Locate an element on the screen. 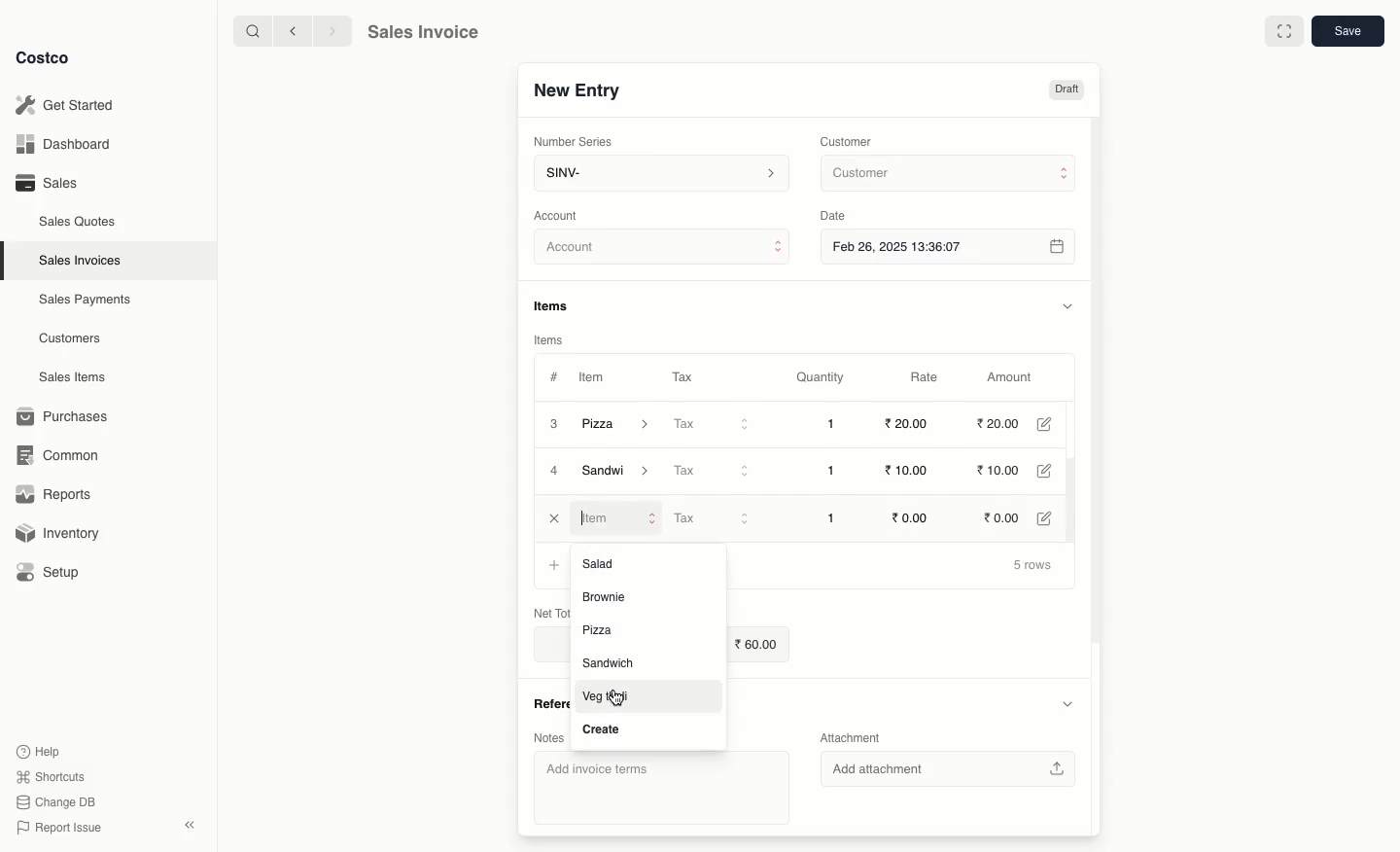 The height and width of the screenshot is (852, 1400). ‘Account is located at coordinates (560, 215).